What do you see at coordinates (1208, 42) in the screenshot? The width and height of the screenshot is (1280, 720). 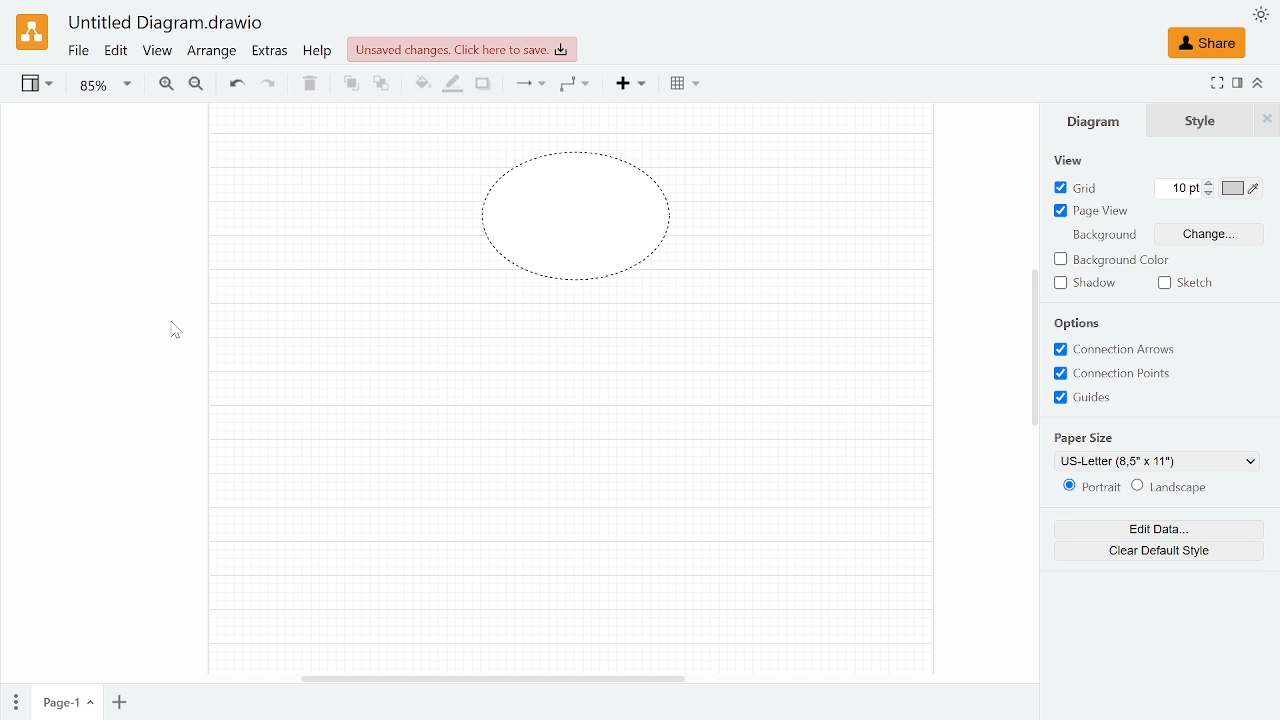 I see `Share` at bounding box center [1208, 42].